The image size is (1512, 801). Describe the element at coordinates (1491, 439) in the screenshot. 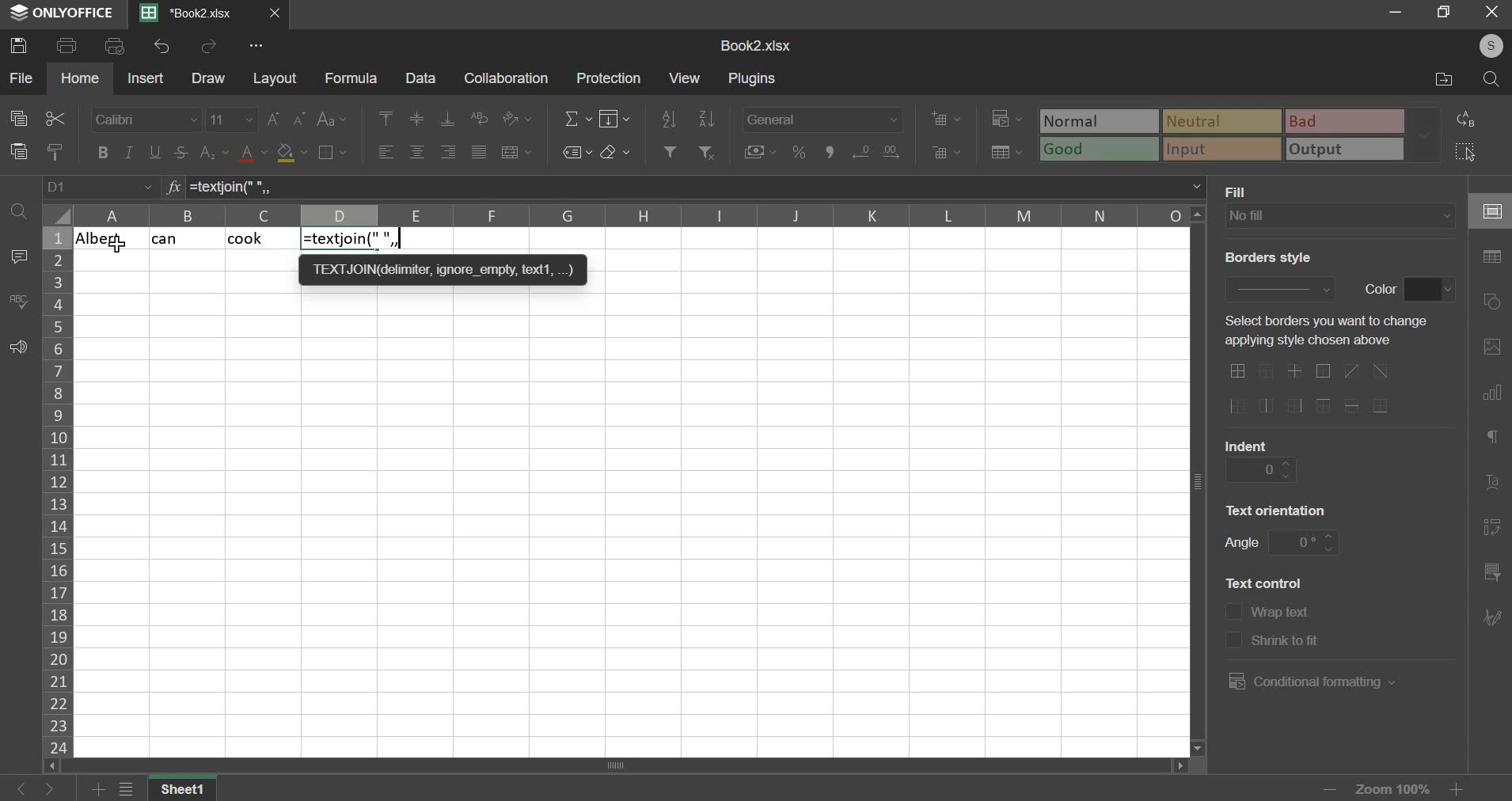

I see `paragraph` at that location.